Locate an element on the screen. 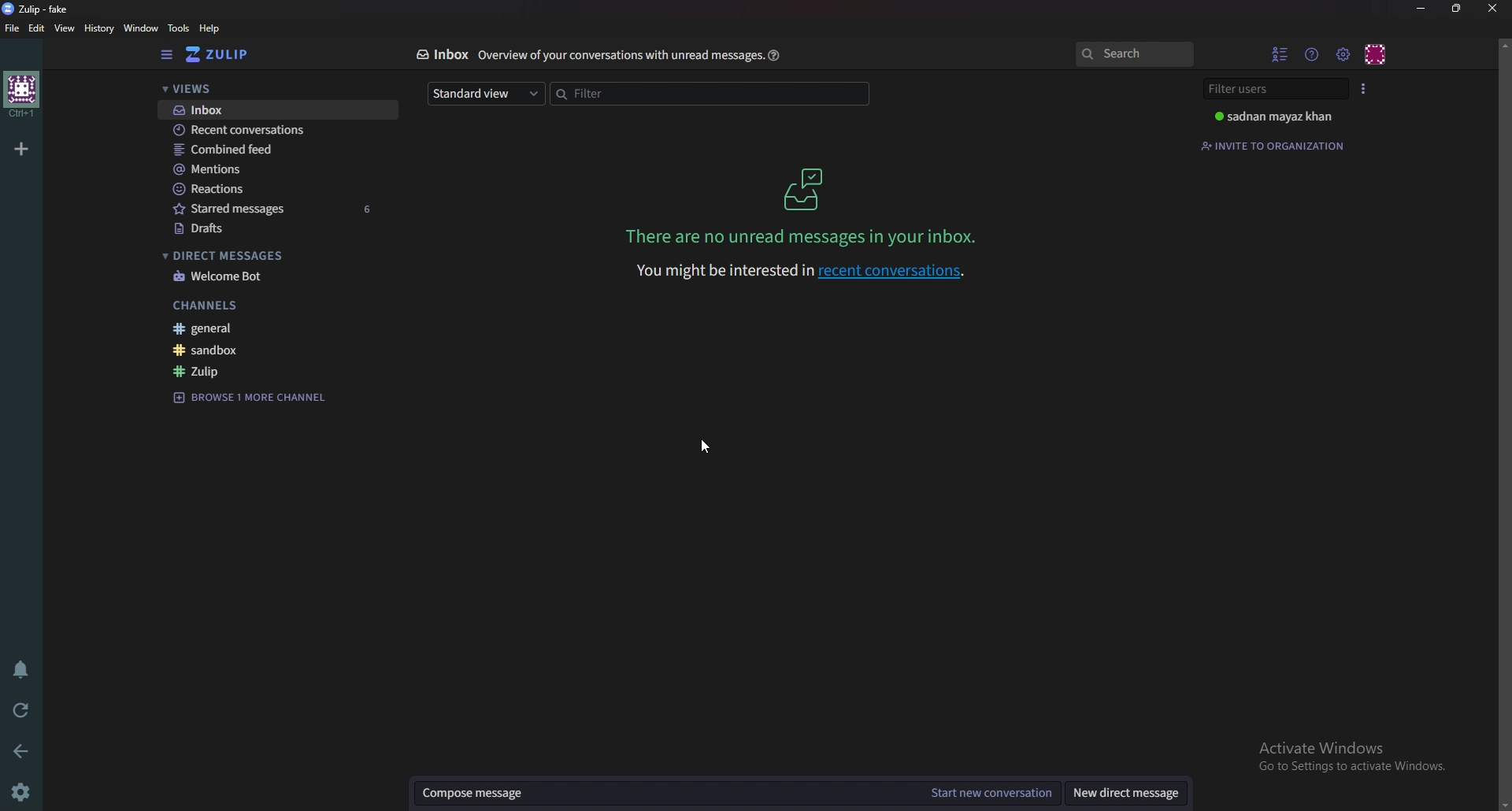 This screenshot has height=811, width=1512. Hide user list is located at coordinates (1280, 54).